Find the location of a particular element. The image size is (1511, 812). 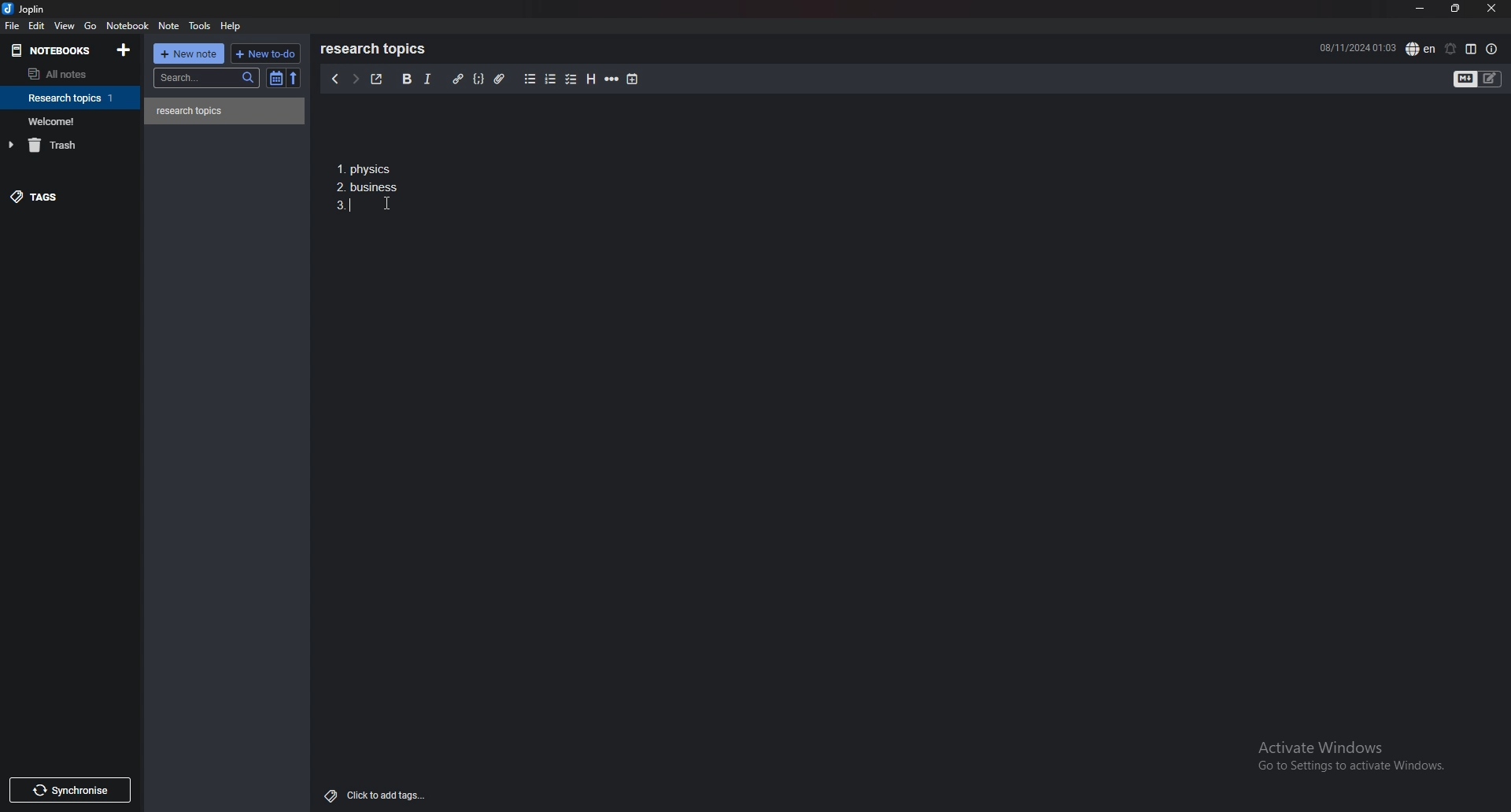

trash is located at coordinates (73, 145).